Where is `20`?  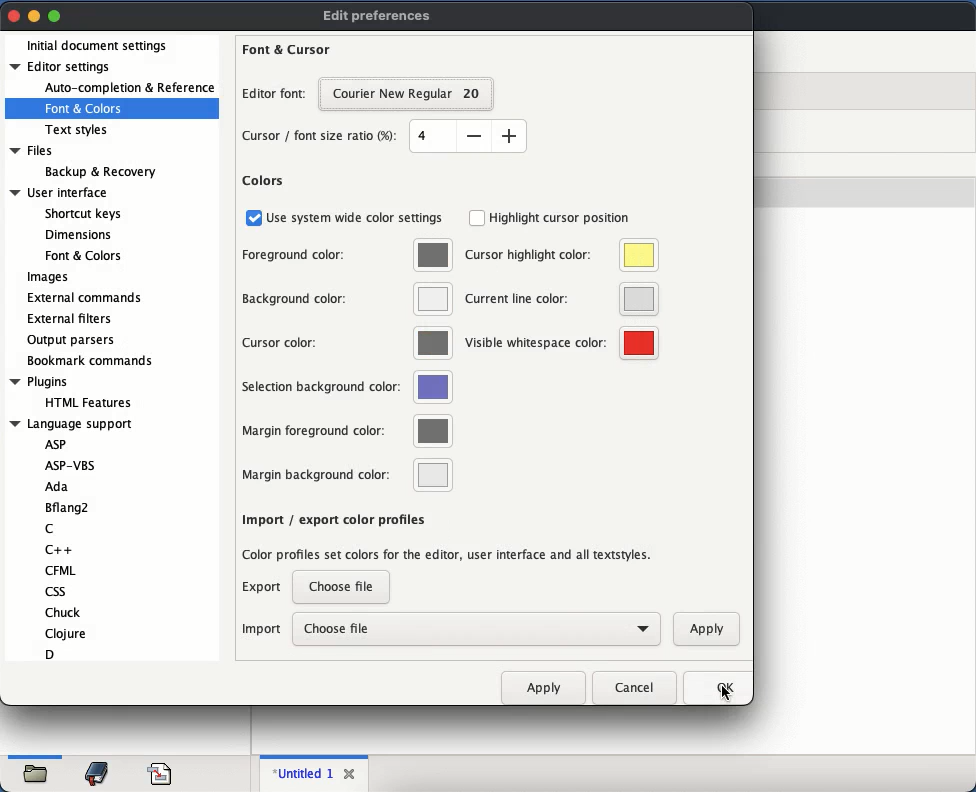
20 is located at coordinates (475, 93).